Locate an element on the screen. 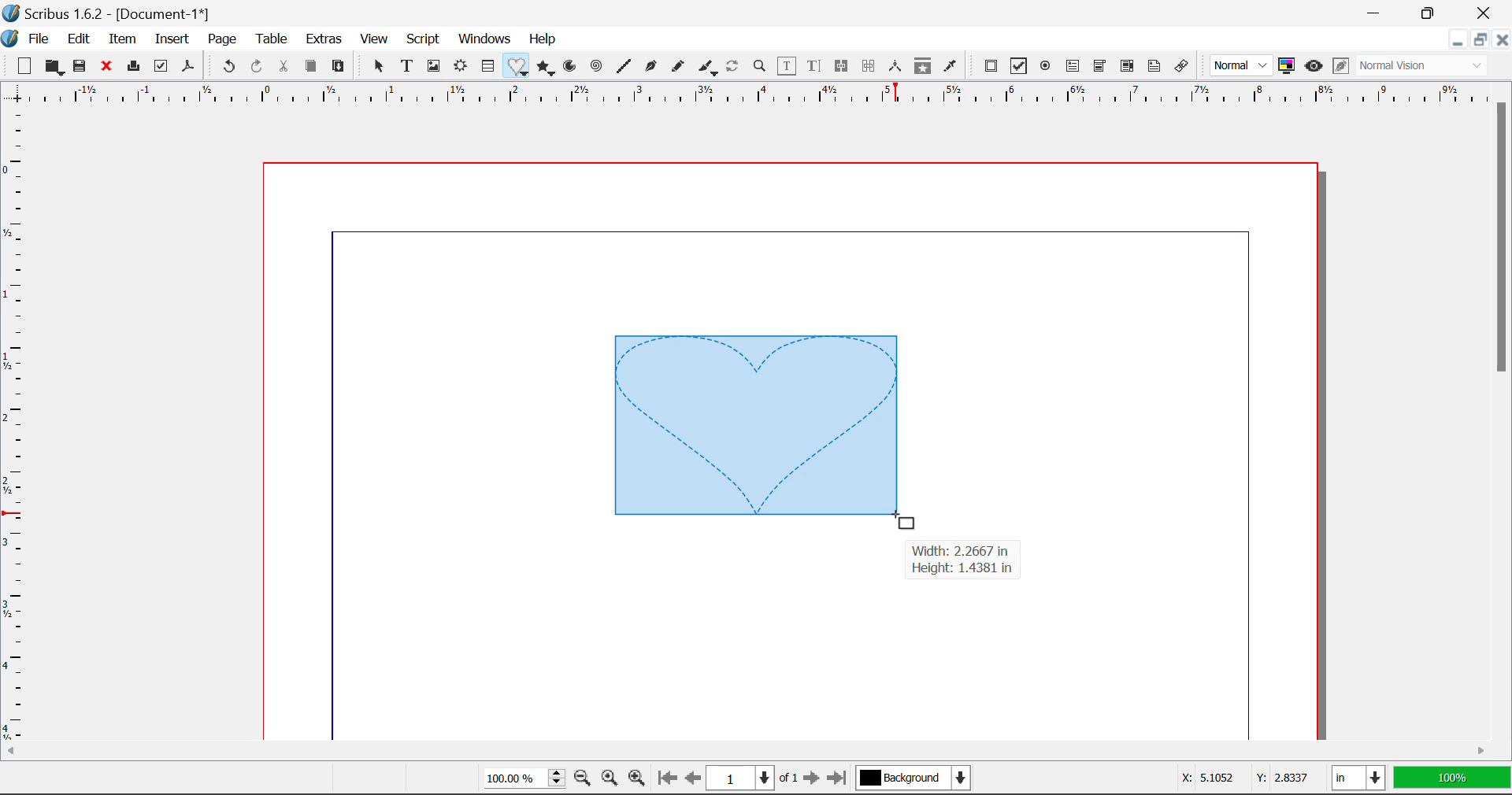 This screenshot has height=795, width=1512. Insert Cells is located at coordinates (487, 68).